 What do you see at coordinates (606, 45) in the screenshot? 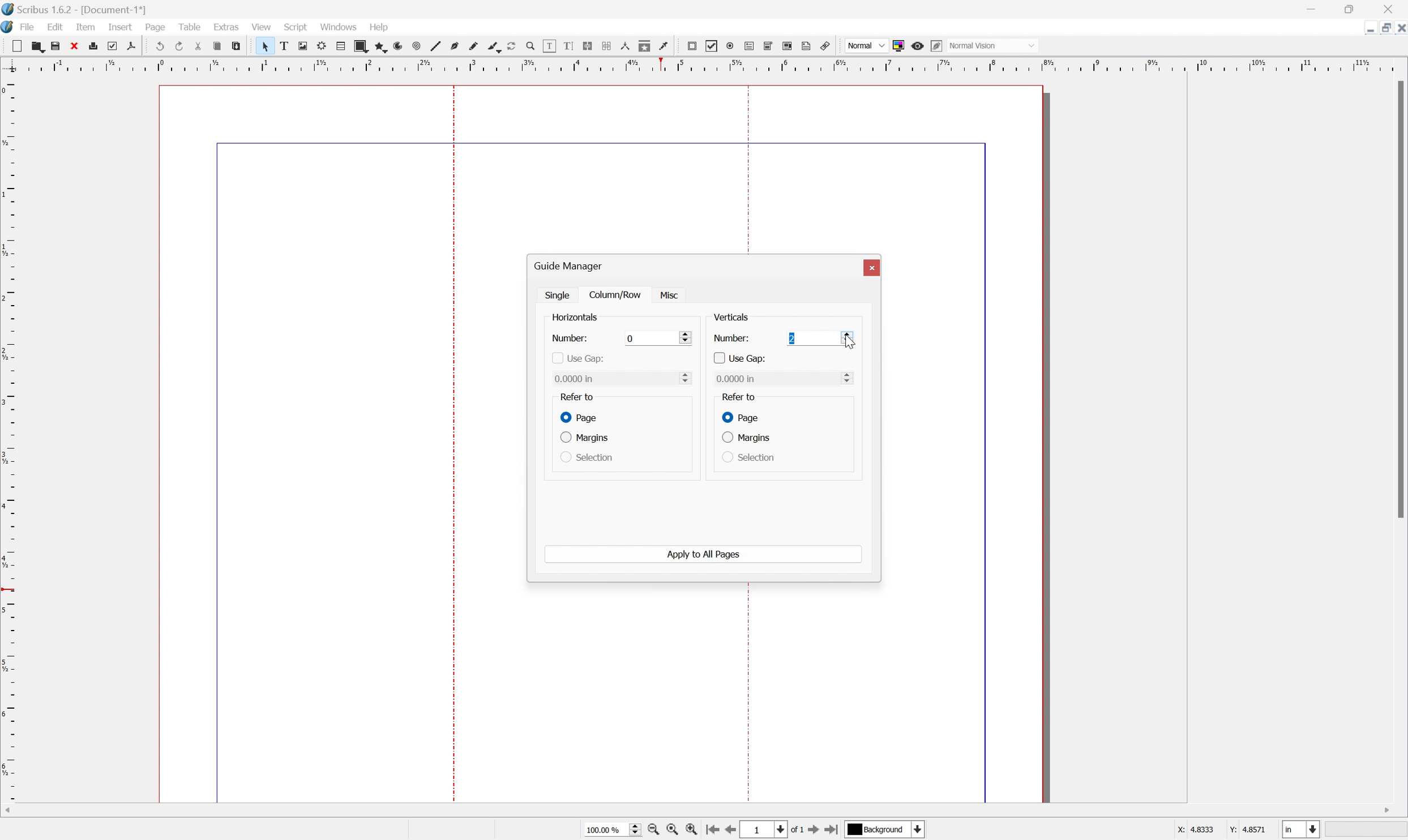
I see `unlink text frames` at bounding box center [606, 45].